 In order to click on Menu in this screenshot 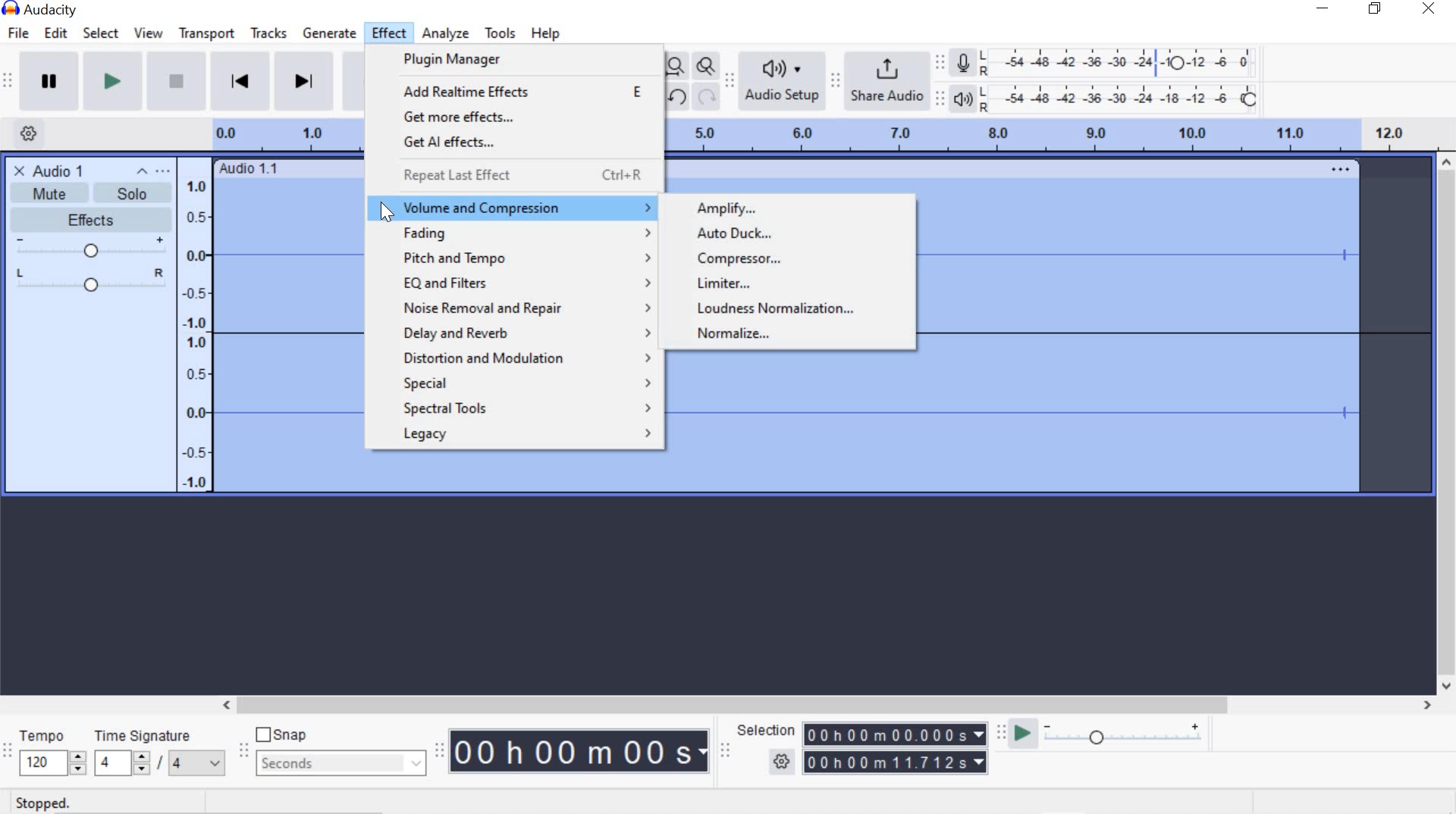, I will do `click(197, 324)`.